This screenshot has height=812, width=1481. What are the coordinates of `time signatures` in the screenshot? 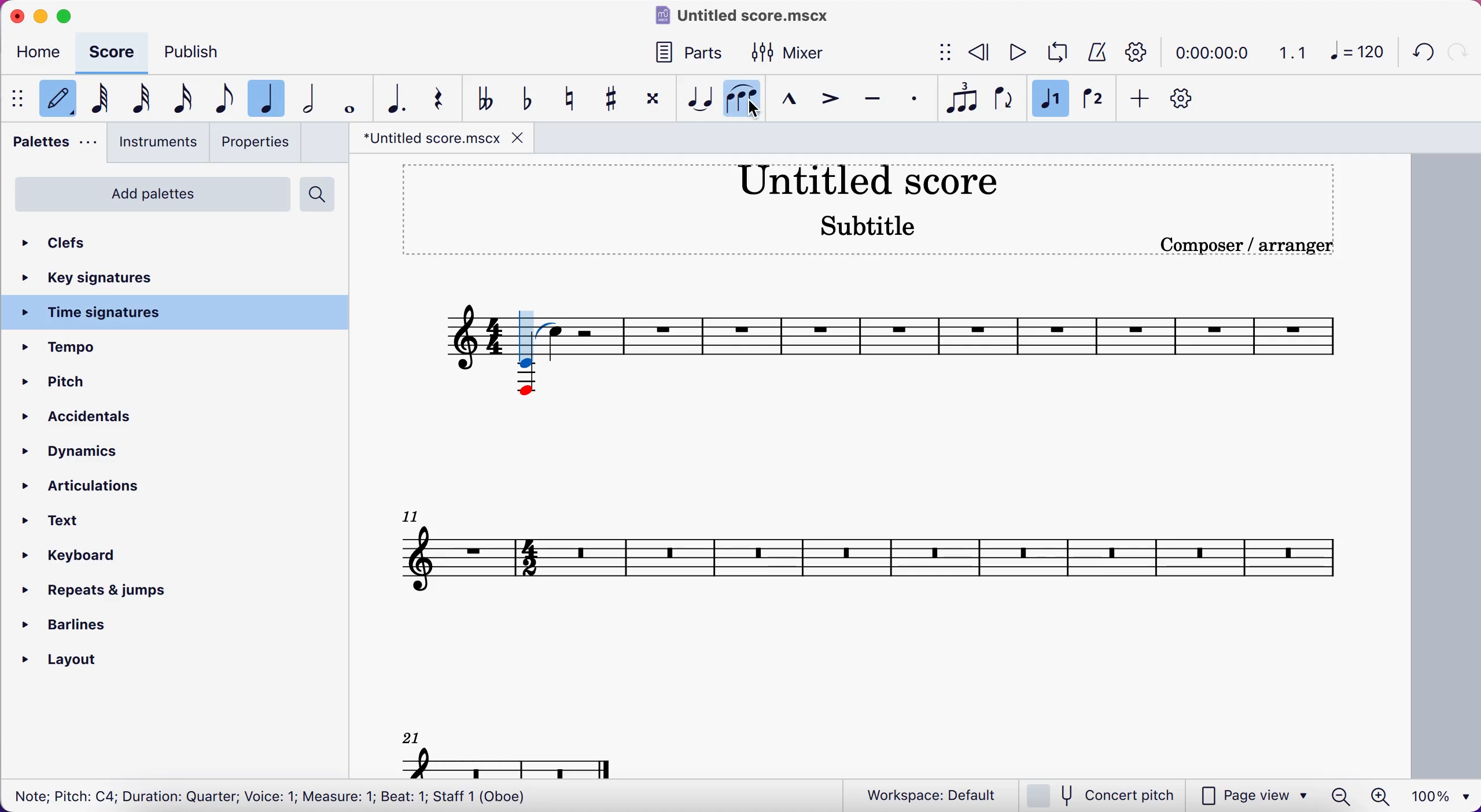 It's located at (178, 313).